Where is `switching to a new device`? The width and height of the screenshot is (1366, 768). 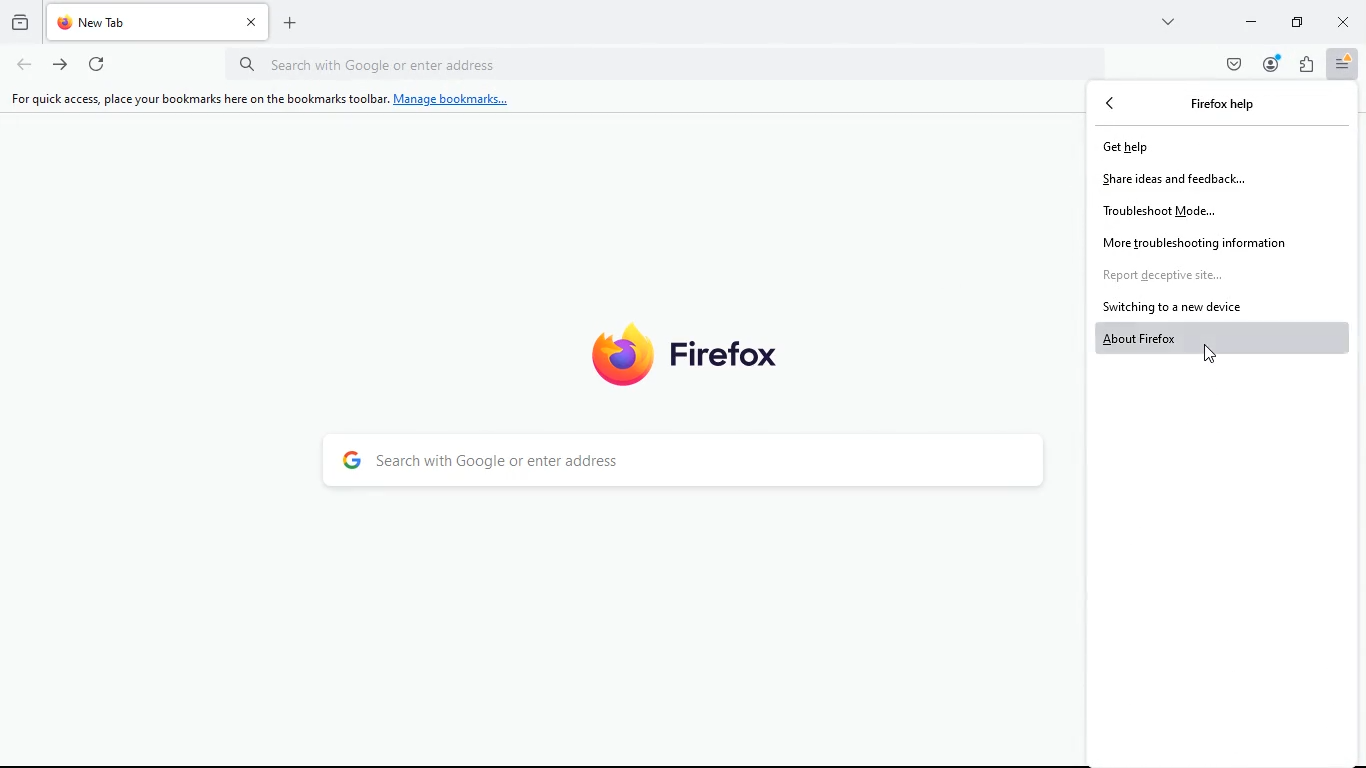
switching to a new device is located at coordinates (1177, 306).